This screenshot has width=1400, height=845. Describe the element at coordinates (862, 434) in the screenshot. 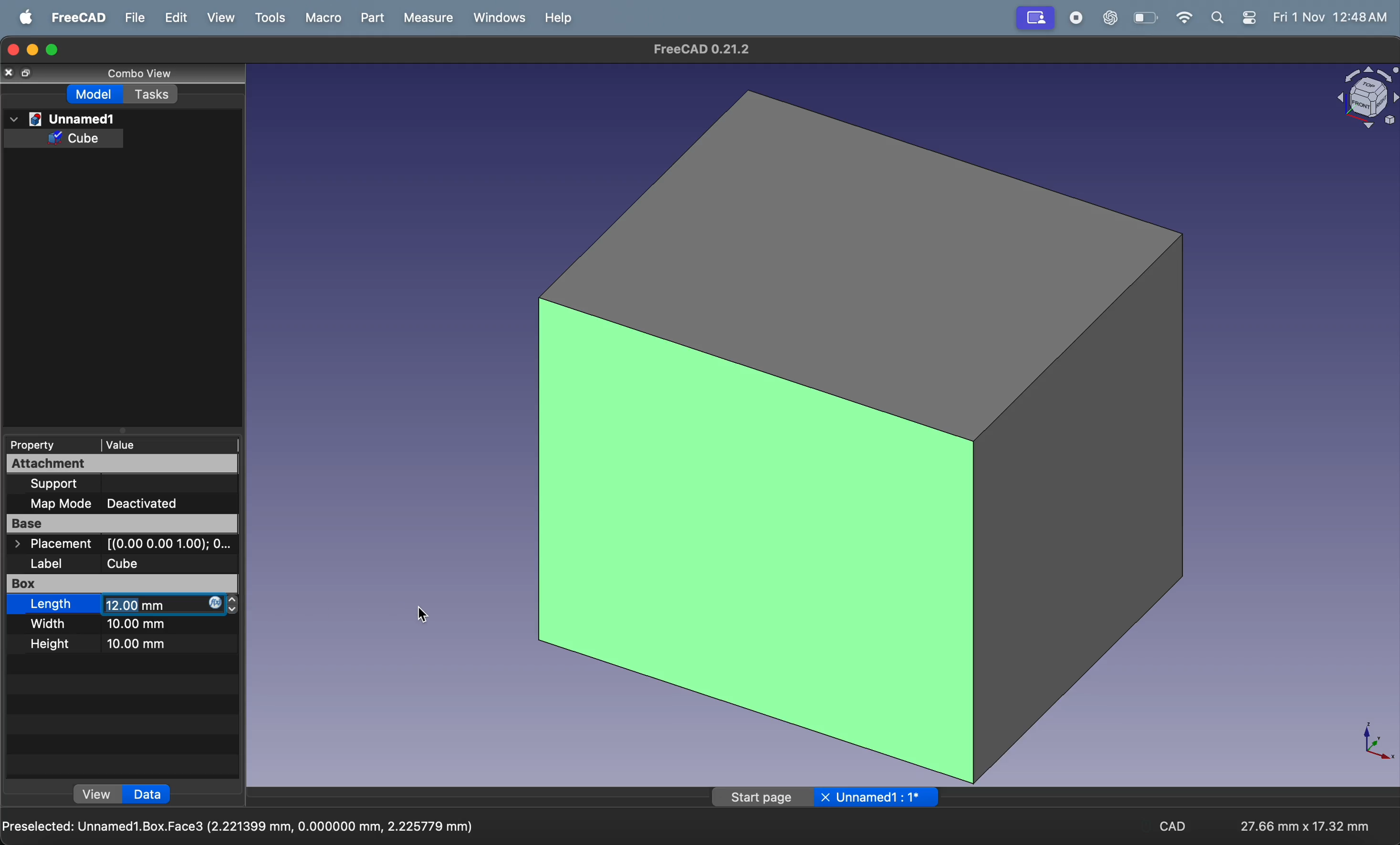

I see `increased length of cube` at that location.